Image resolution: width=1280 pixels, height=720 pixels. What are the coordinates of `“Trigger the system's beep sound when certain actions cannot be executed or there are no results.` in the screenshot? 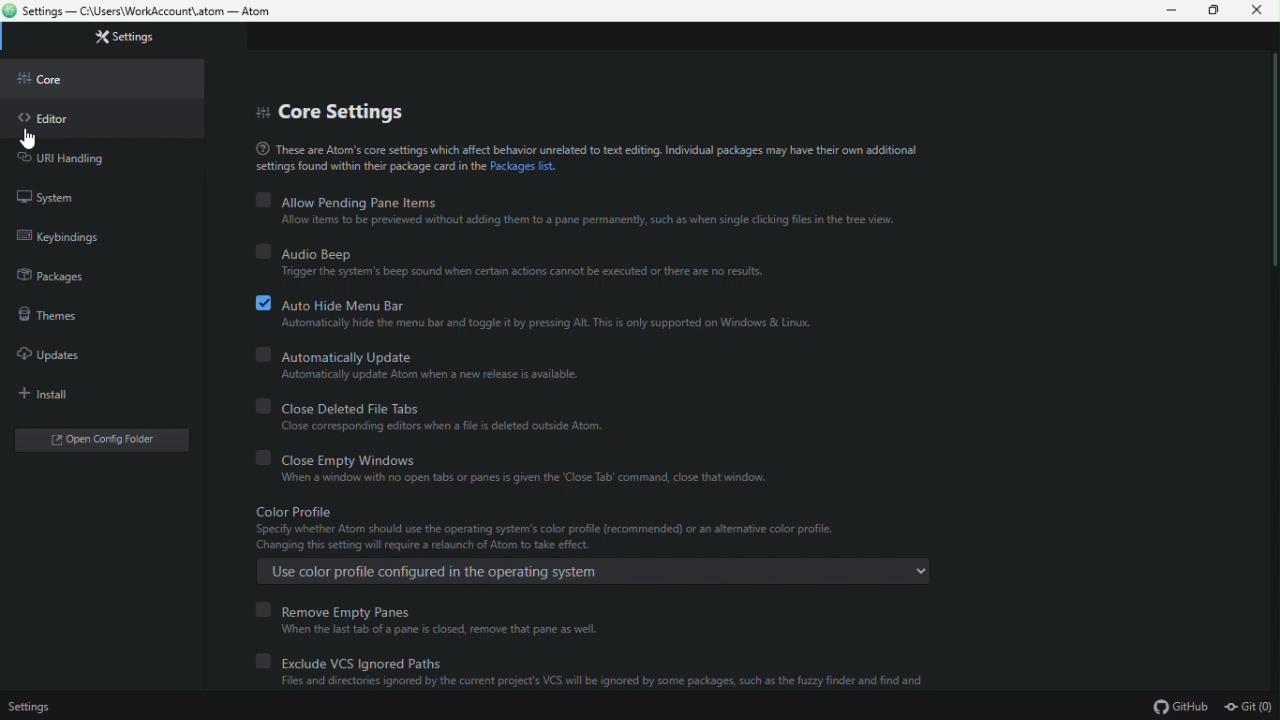 It's located at (534, 274).